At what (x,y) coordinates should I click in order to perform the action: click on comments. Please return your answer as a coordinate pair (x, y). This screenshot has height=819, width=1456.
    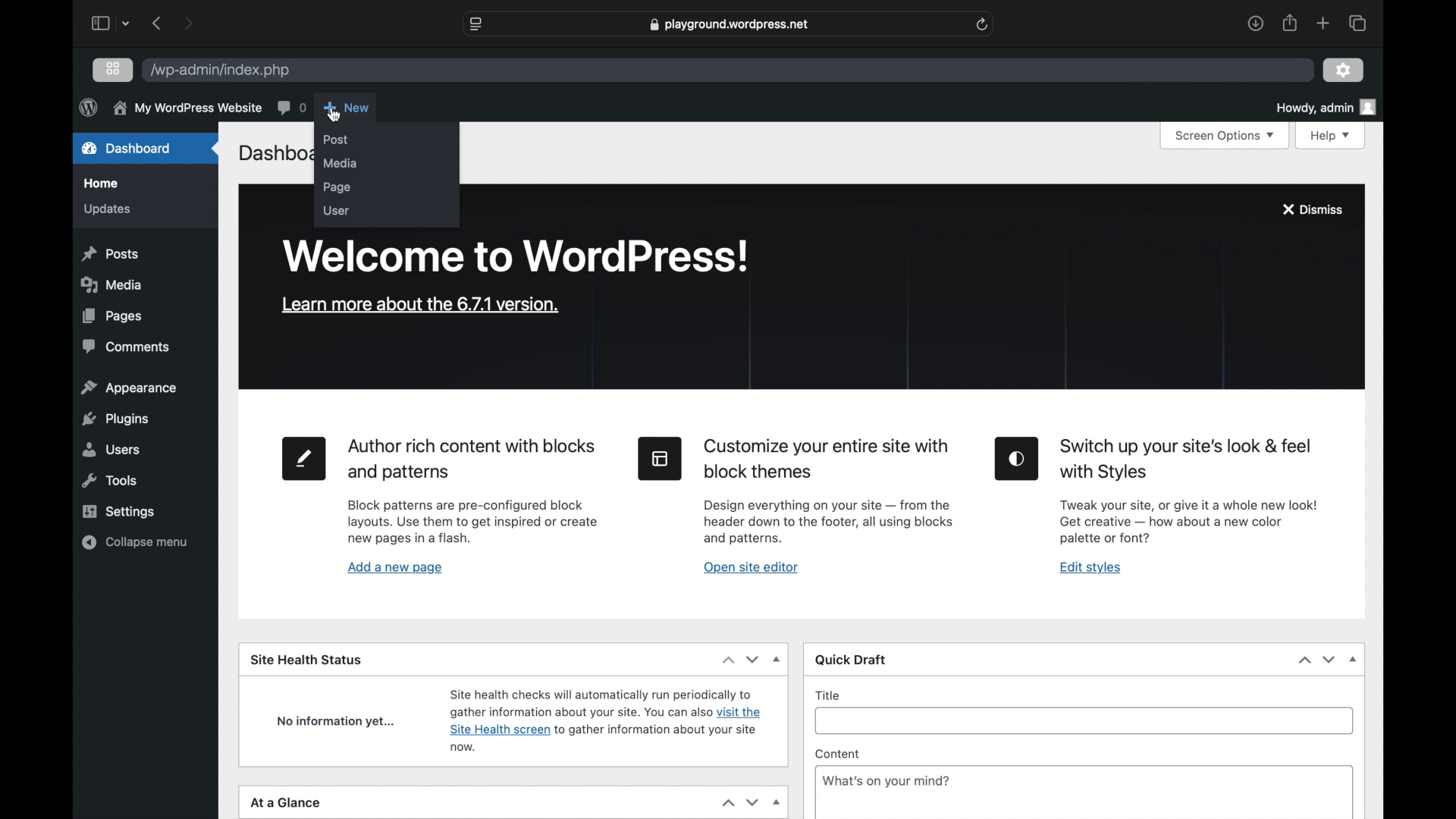
    Looking at the image, I should click on (291, 108).